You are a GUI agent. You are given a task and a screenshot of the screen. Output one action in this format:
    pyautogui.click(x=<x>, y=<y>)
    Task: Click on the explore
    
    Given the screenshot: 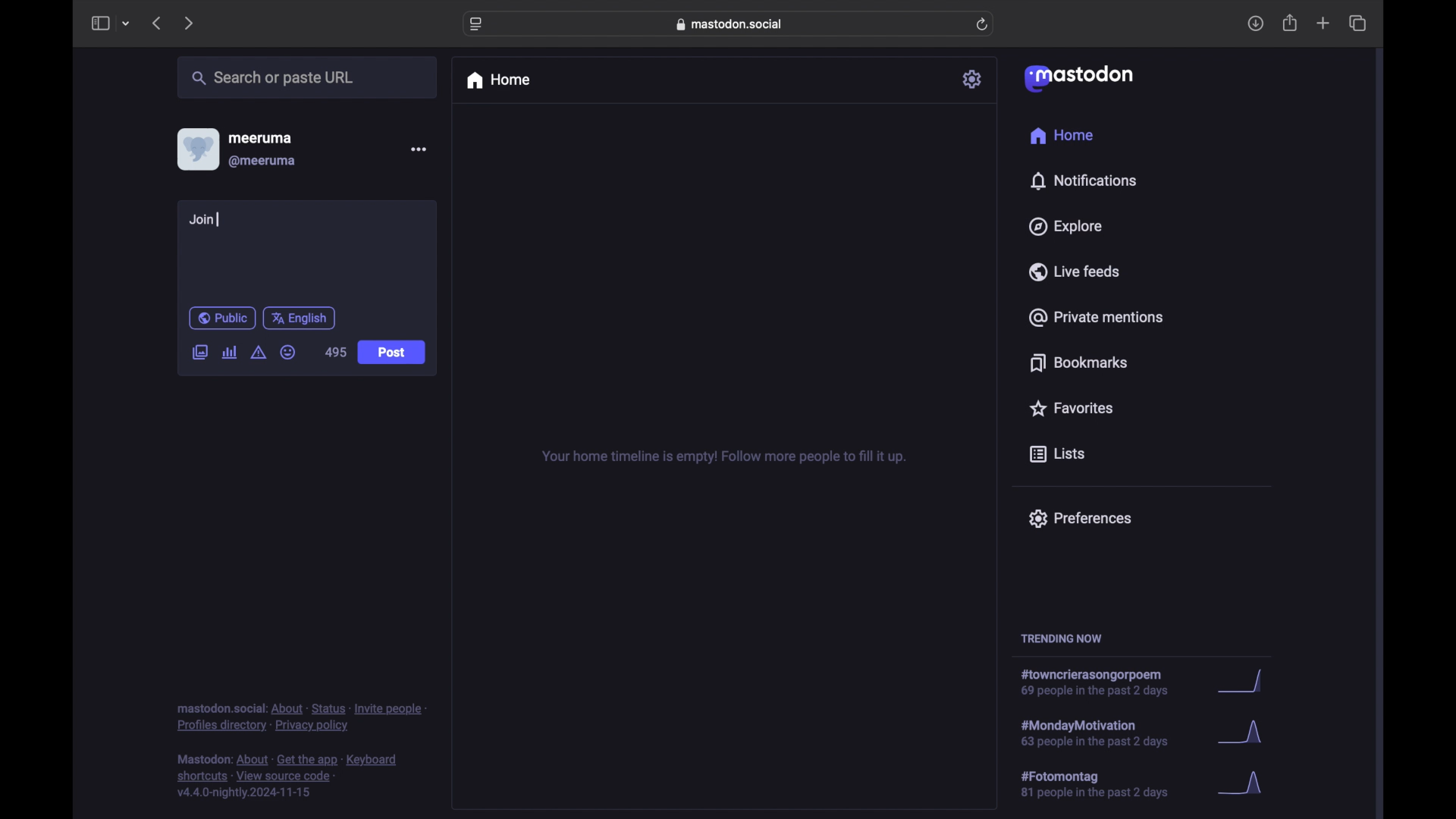 What is the action you would take?
    pyautogui.click(x=1064, y=227)
    